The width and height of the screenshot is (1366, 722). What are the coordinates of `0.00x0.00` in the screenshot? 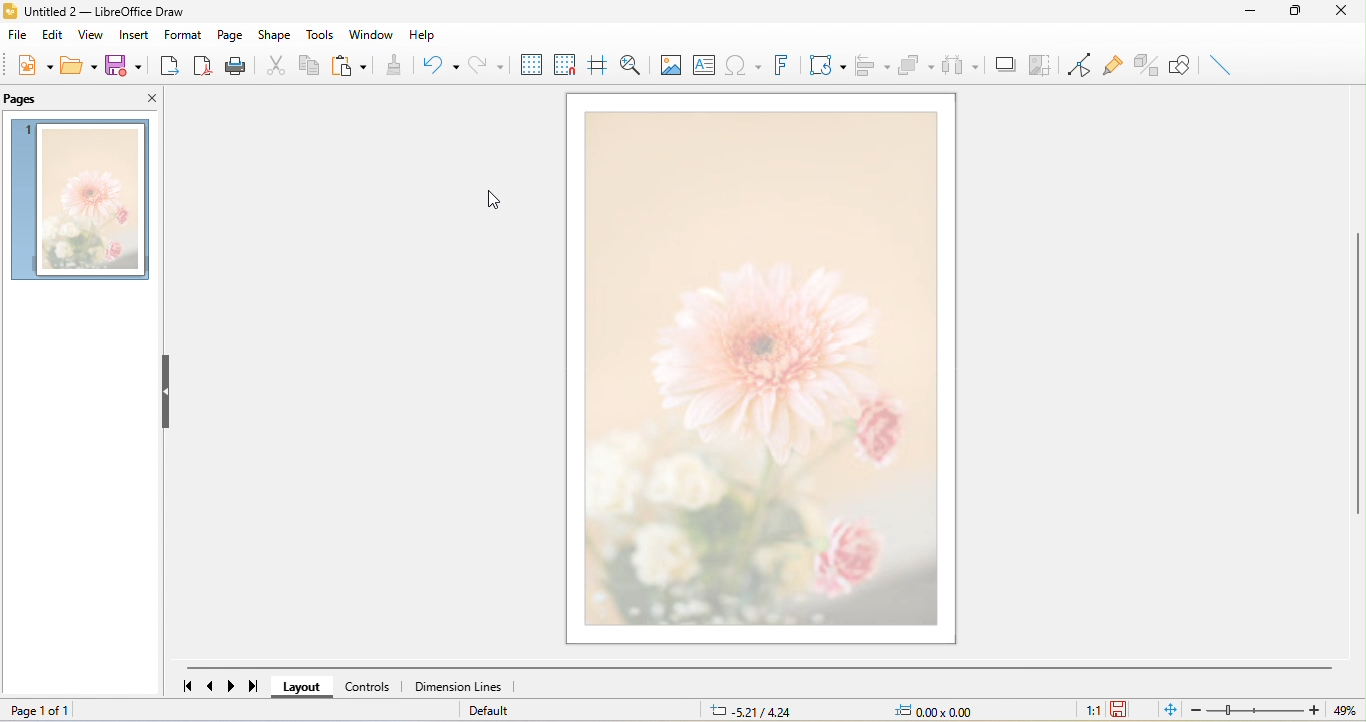 It's located at (943, 711).